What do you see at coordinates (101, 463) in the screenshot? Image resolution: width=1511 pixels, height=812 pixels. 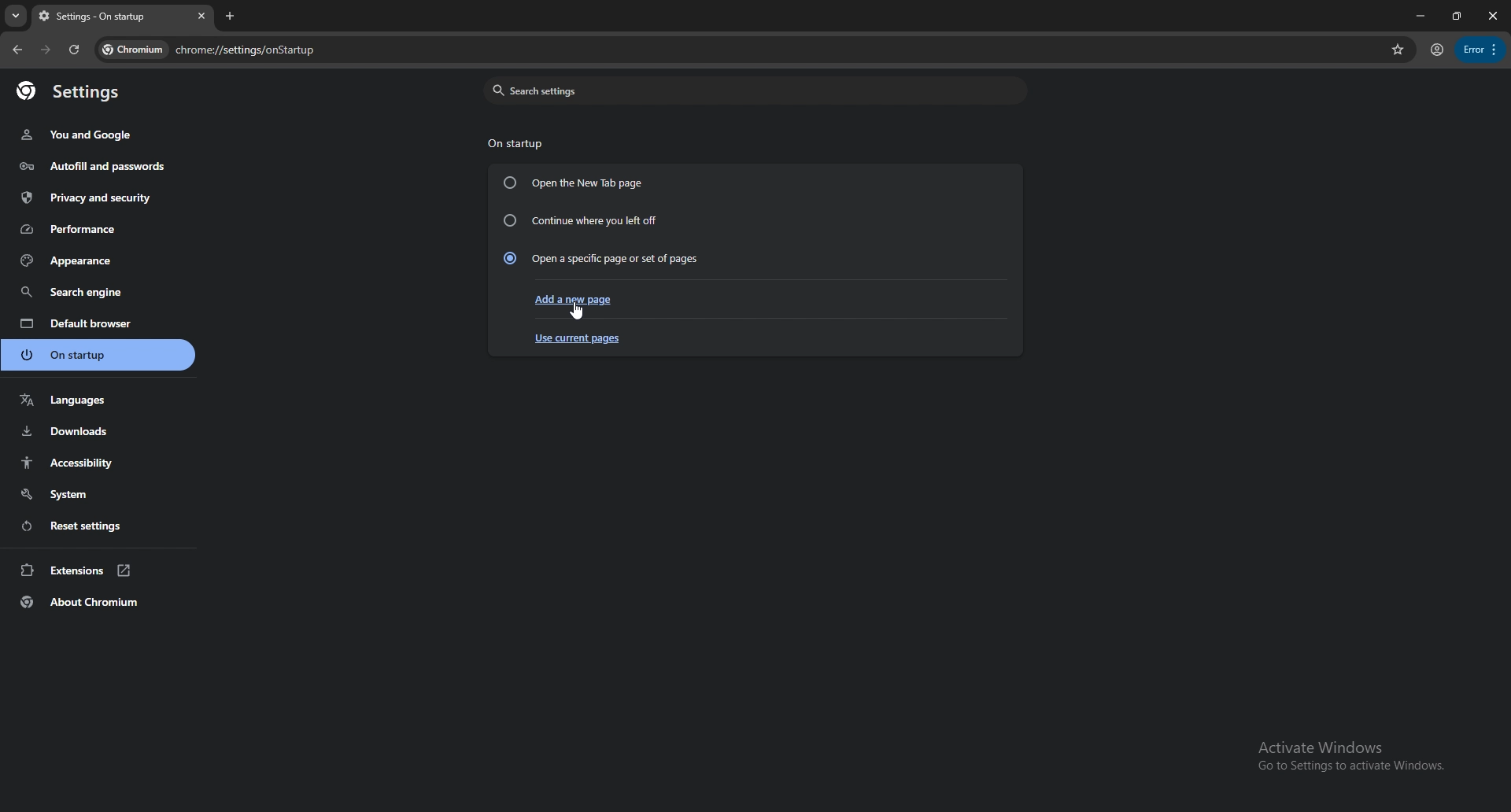 I see `accessibility` at bounding box center [101, 463].